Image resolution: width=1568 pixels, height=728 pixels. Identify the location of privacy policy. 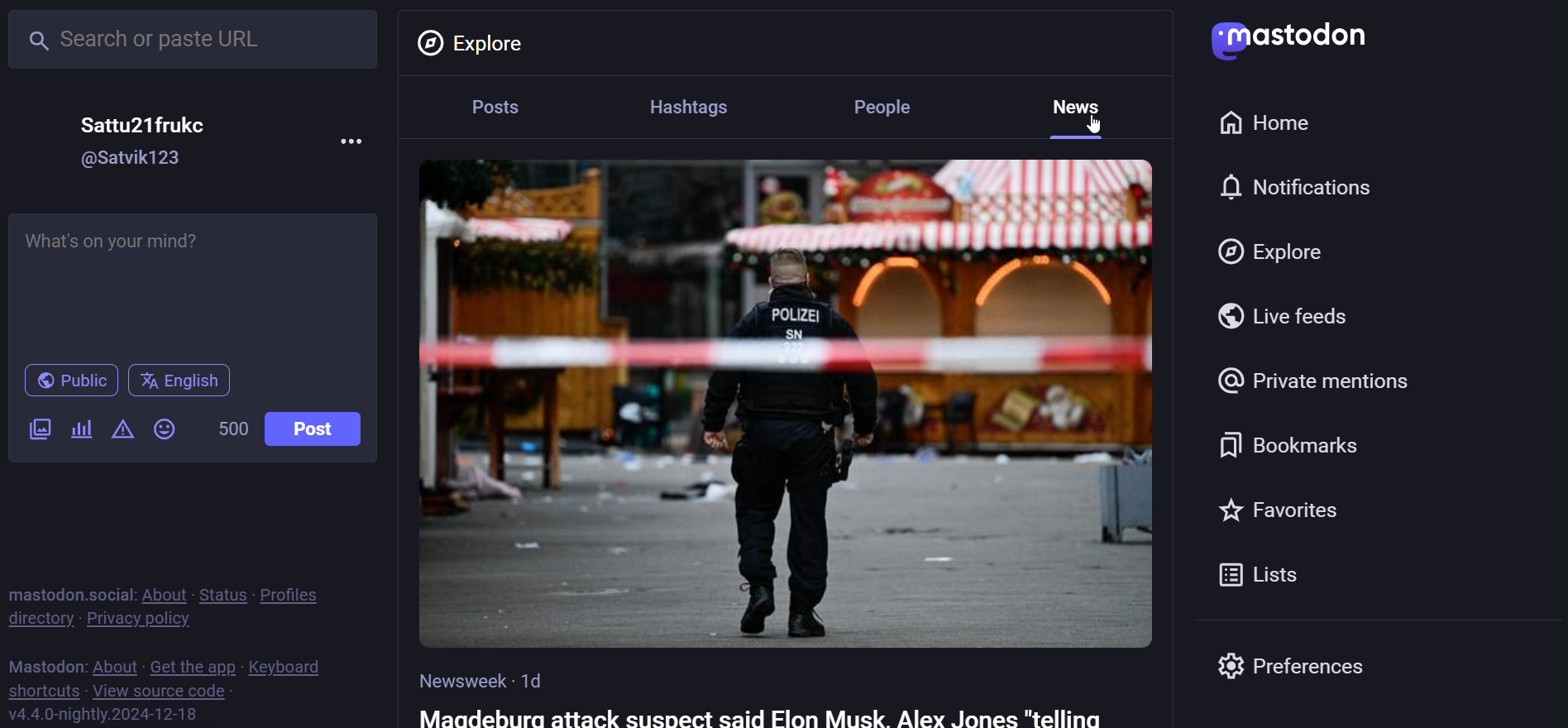
(135, 620).